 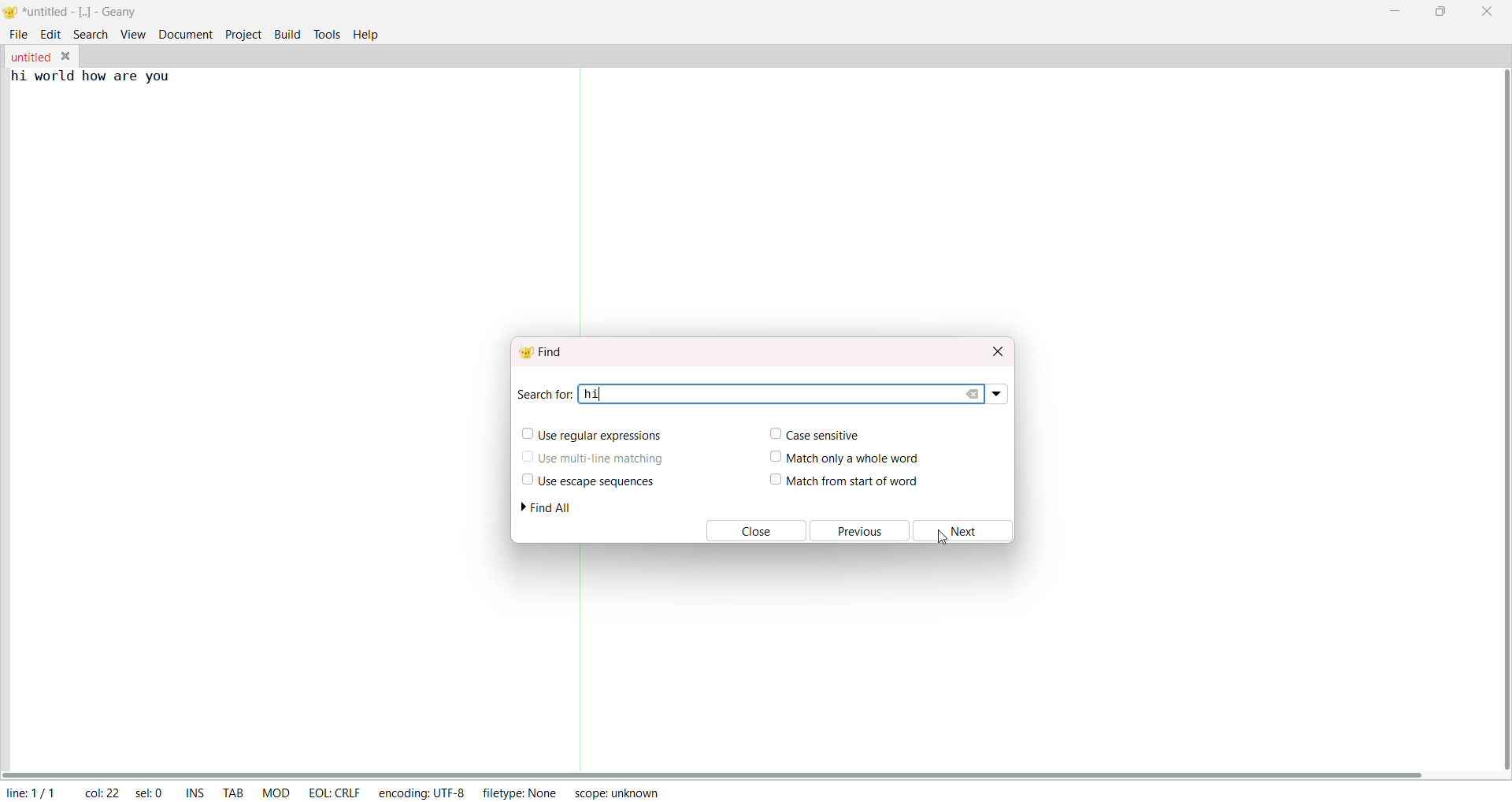 What do you see at coordinates (594, 433) in the screenshot?
I see `use regular expression` at bounding box center [594, 433].